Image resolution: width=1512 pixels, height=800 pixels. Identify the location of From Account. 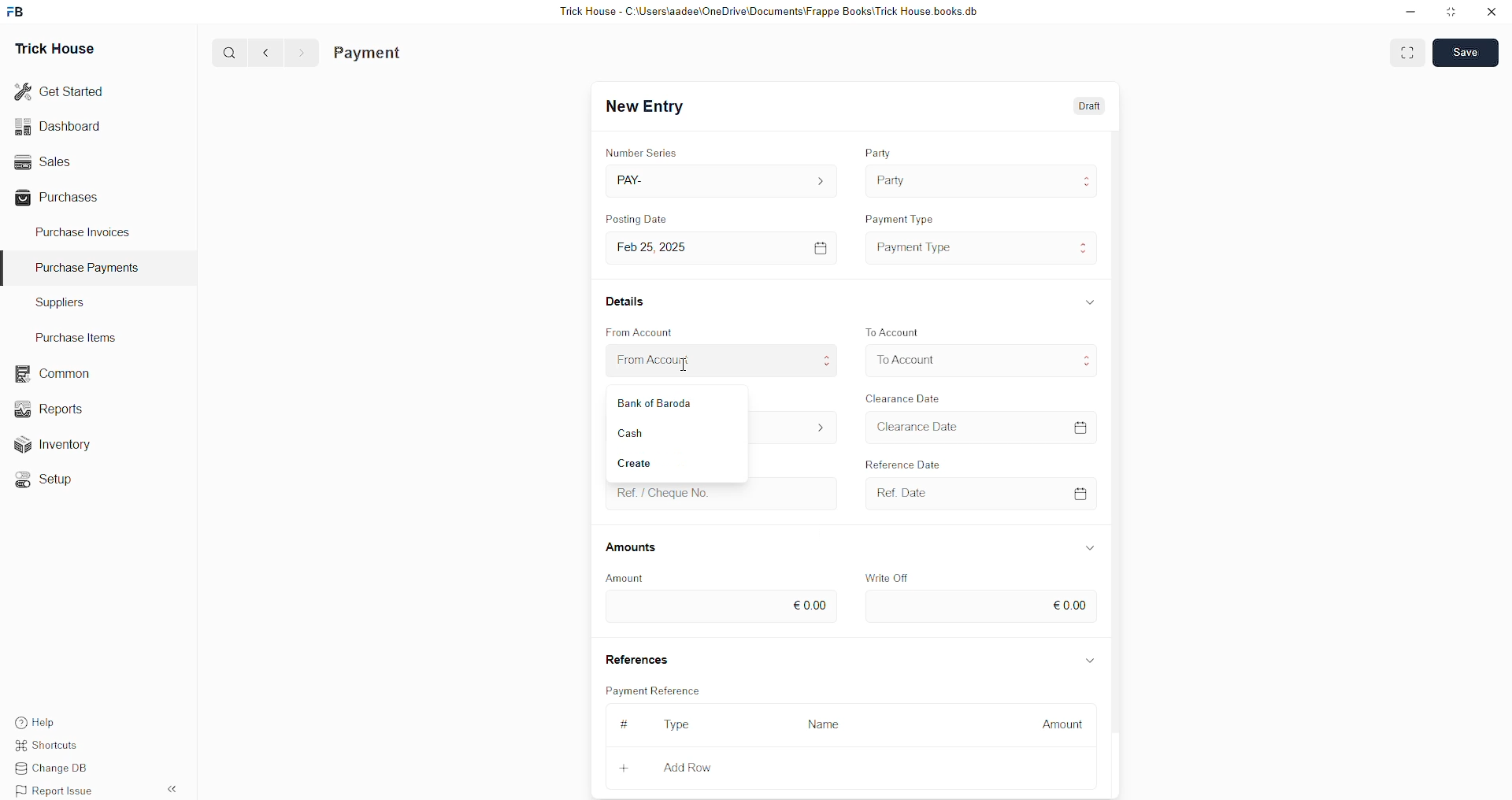
(645, 331).